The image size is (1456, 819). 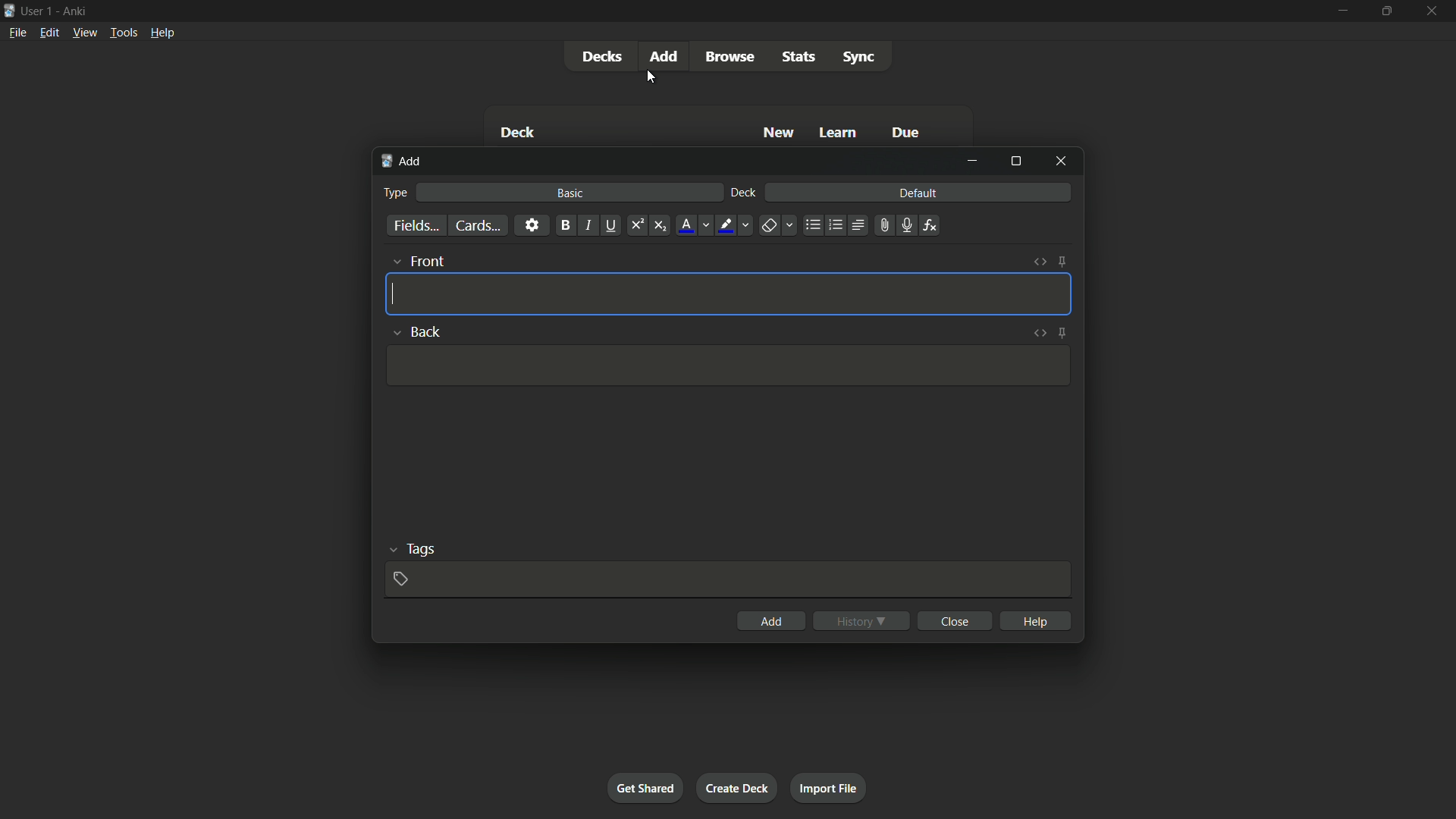 I want to click on close, so click(x=957, y=620).